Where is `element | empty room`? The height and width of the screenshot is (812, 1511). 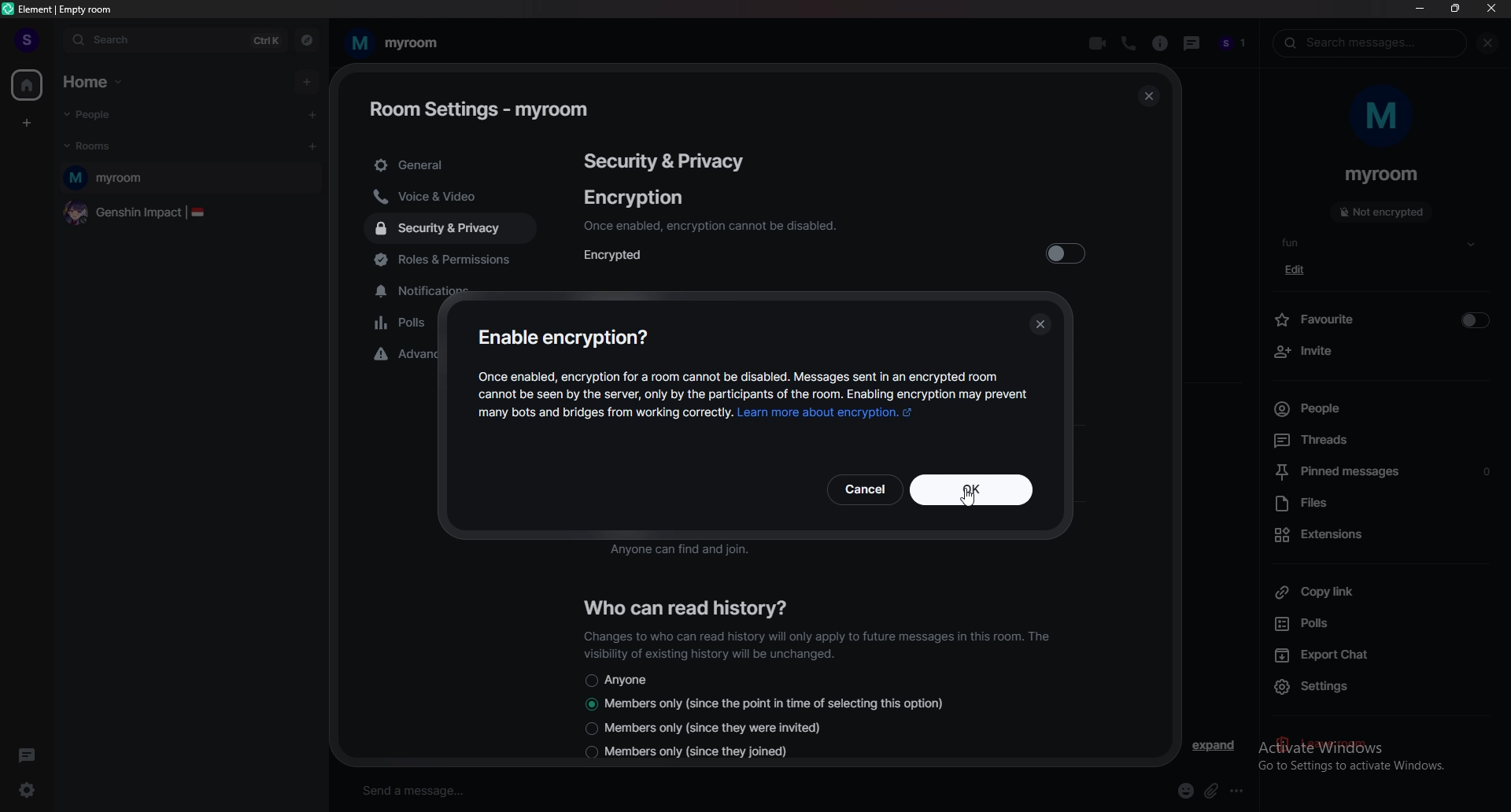
element | empty room is located at coordinates (67, 8).